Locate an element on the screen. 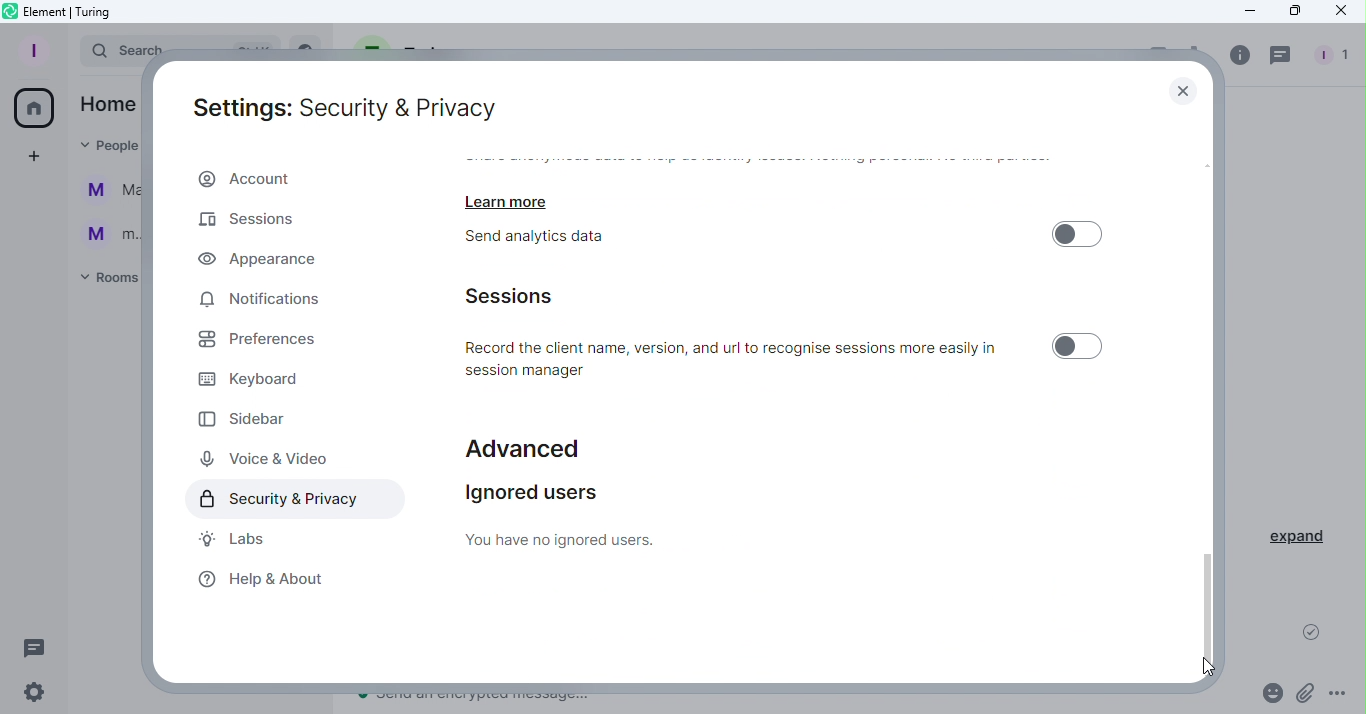 This screenshot has width=1366, height=714. Minimize is located at coordinates (1244, 13).